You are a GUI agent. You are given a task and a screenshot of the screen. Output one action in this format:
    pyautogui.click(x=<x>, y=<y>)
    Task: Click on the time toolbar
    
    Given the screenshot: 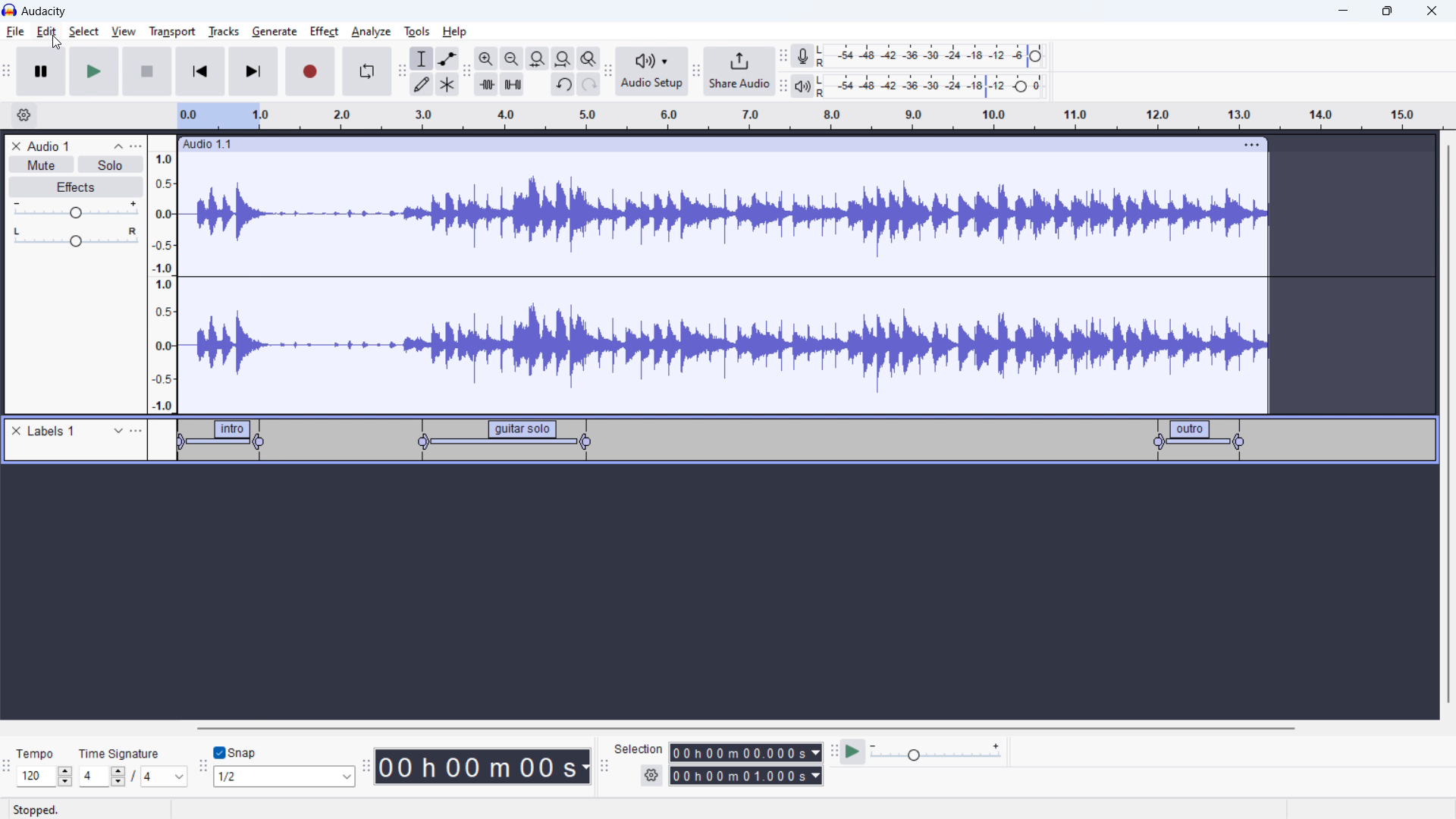 What is the action you would take?
    pyautogui.click(x=366, y=768)
    